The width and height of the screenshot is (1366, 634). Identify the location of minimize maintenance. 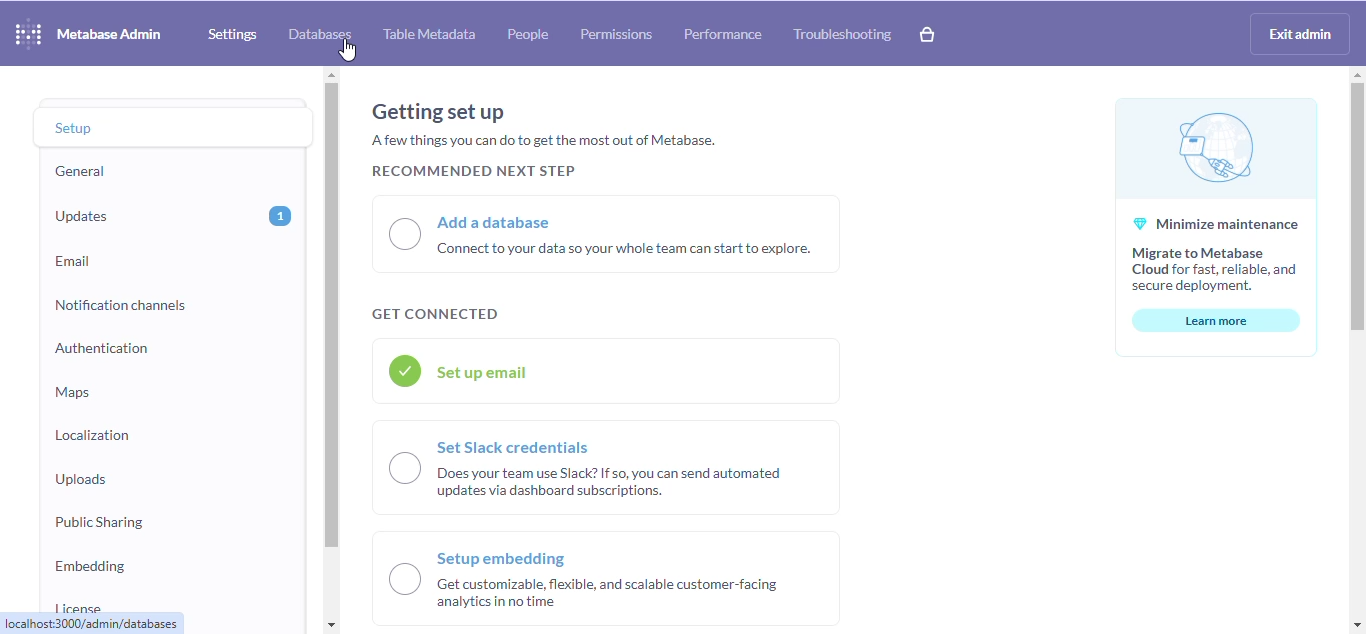
(1217, 197).